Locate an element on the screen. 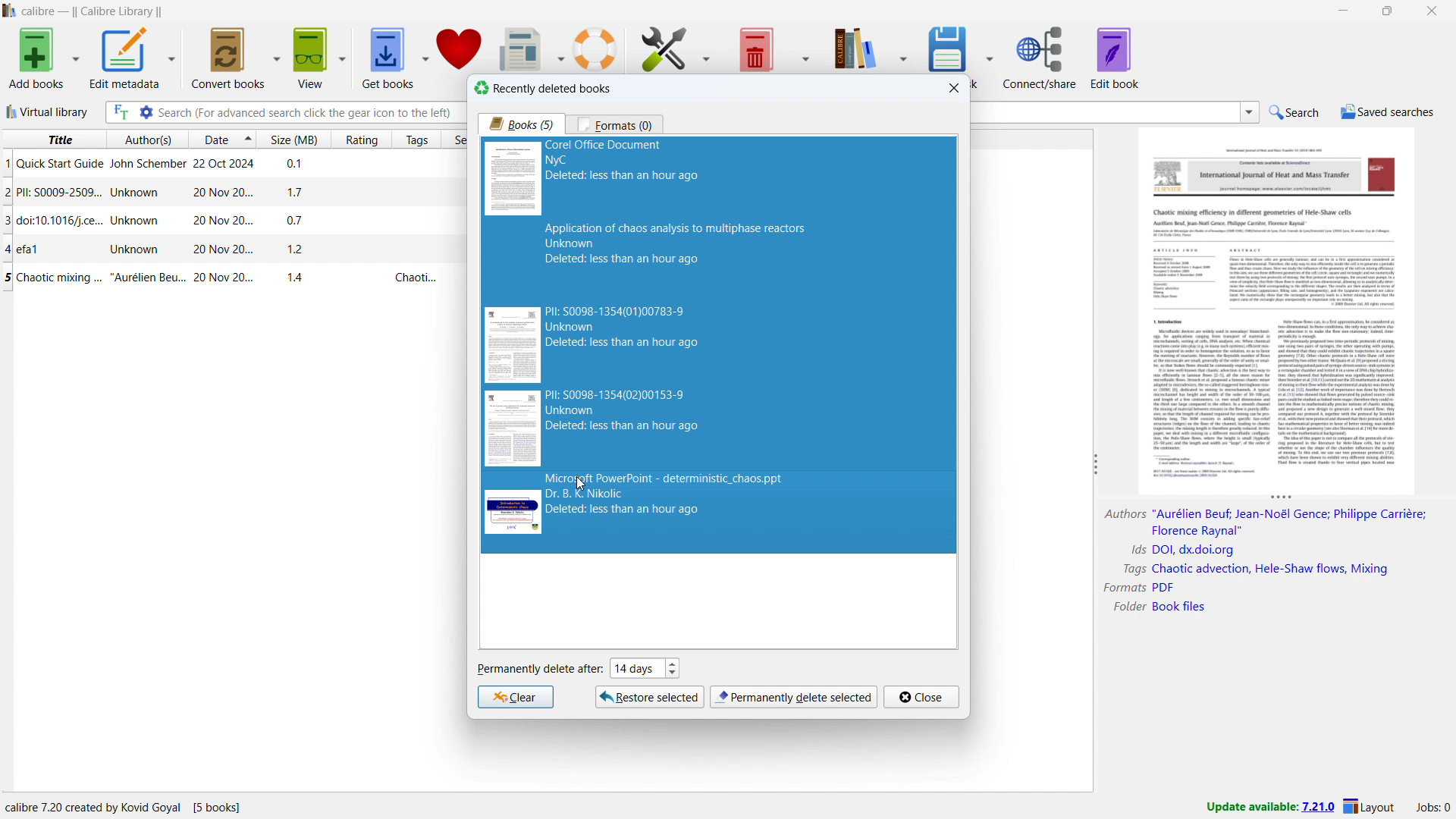  get books options is located at coordinates (424, 57).